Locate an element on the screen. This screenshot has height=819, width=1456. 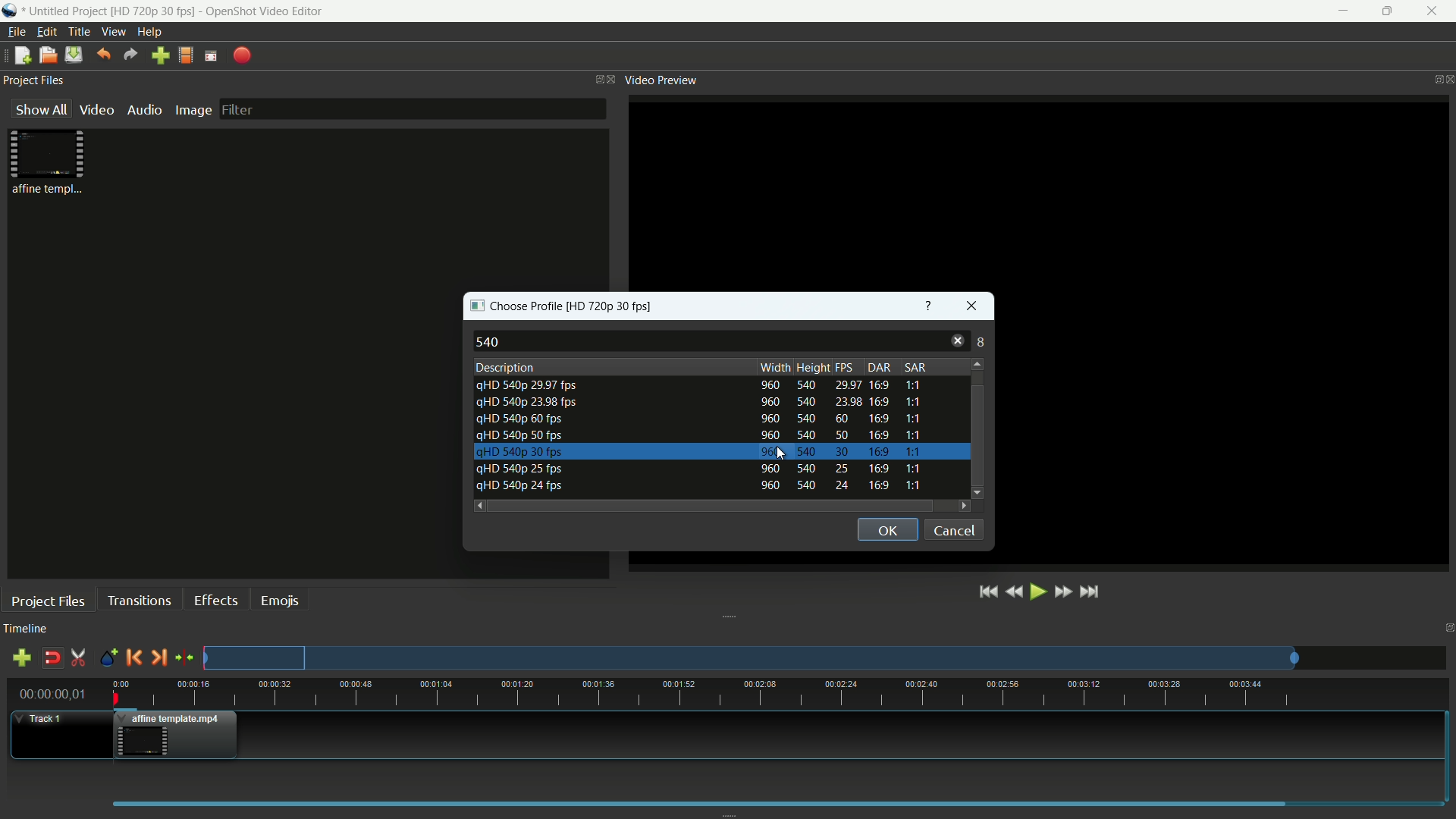
video is located at coordinates (97, 109).